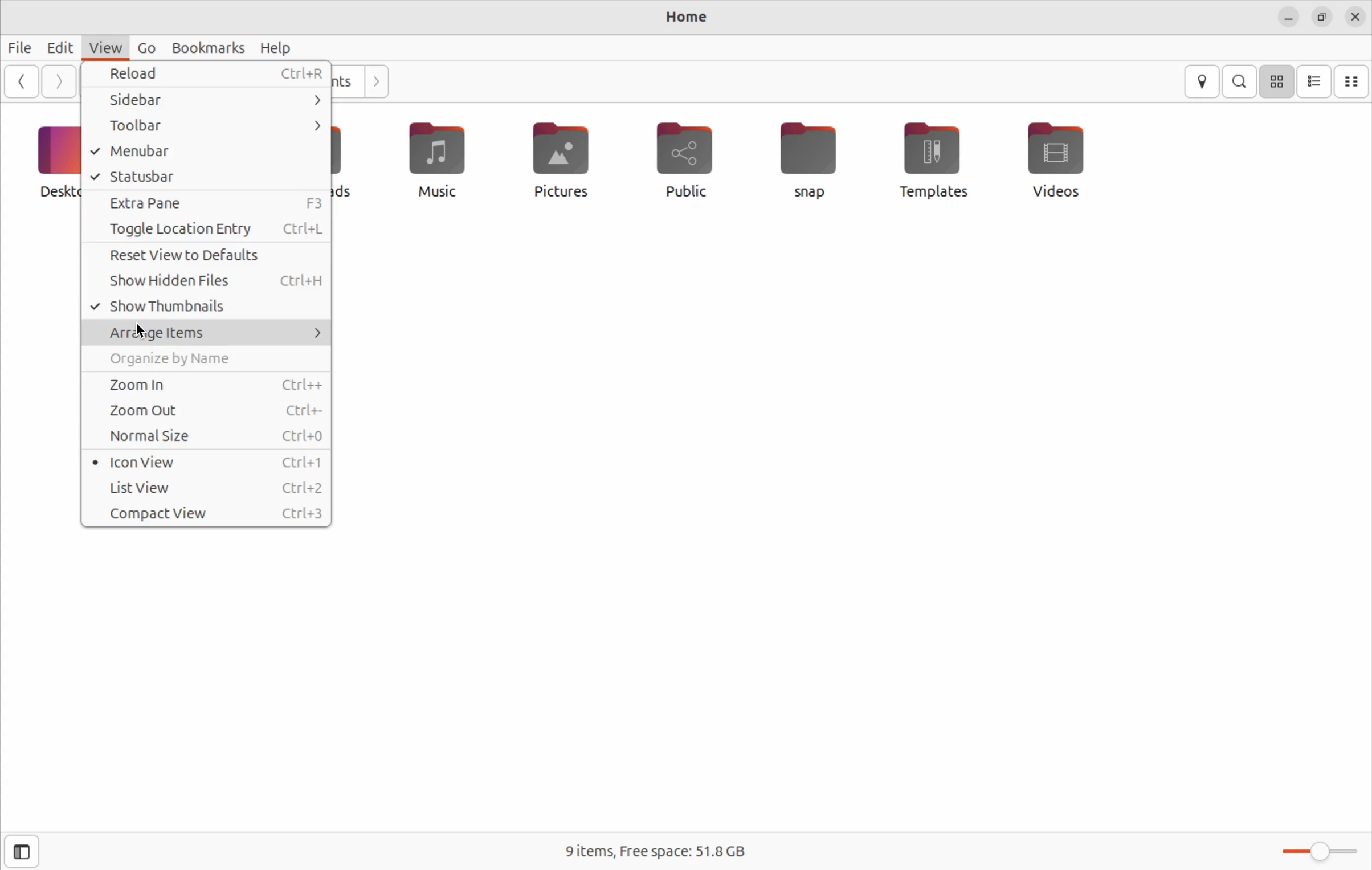  I want to click on sidebar, so click(205, 100).